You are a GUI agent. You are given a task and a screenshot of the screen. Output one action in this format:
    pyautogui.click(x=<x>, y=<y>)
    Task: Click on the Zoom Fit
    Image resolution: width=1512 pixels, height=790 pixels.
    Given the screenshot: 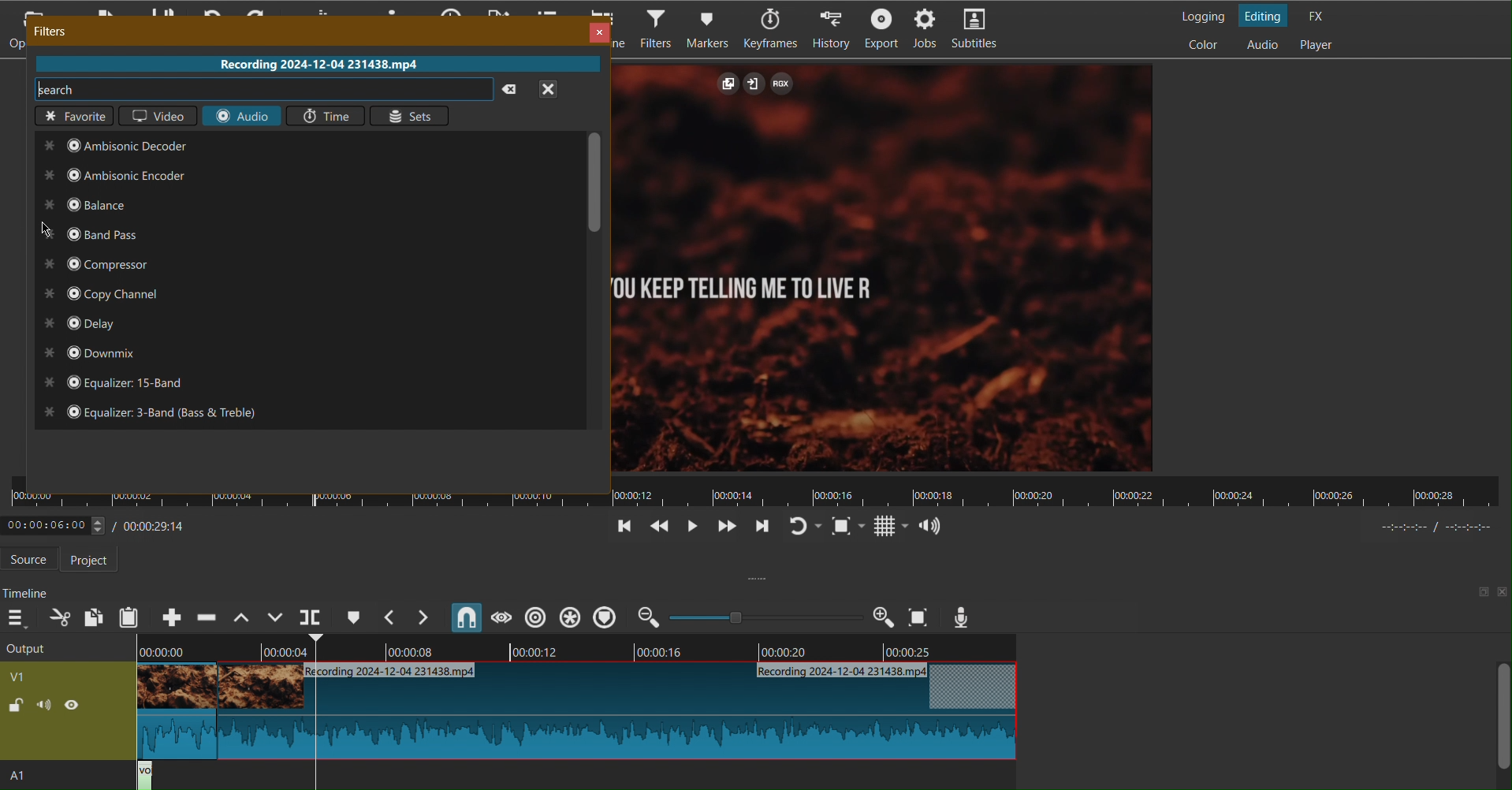 What is the action you would take?
    pyautogui.click(x=849, y=526)
    